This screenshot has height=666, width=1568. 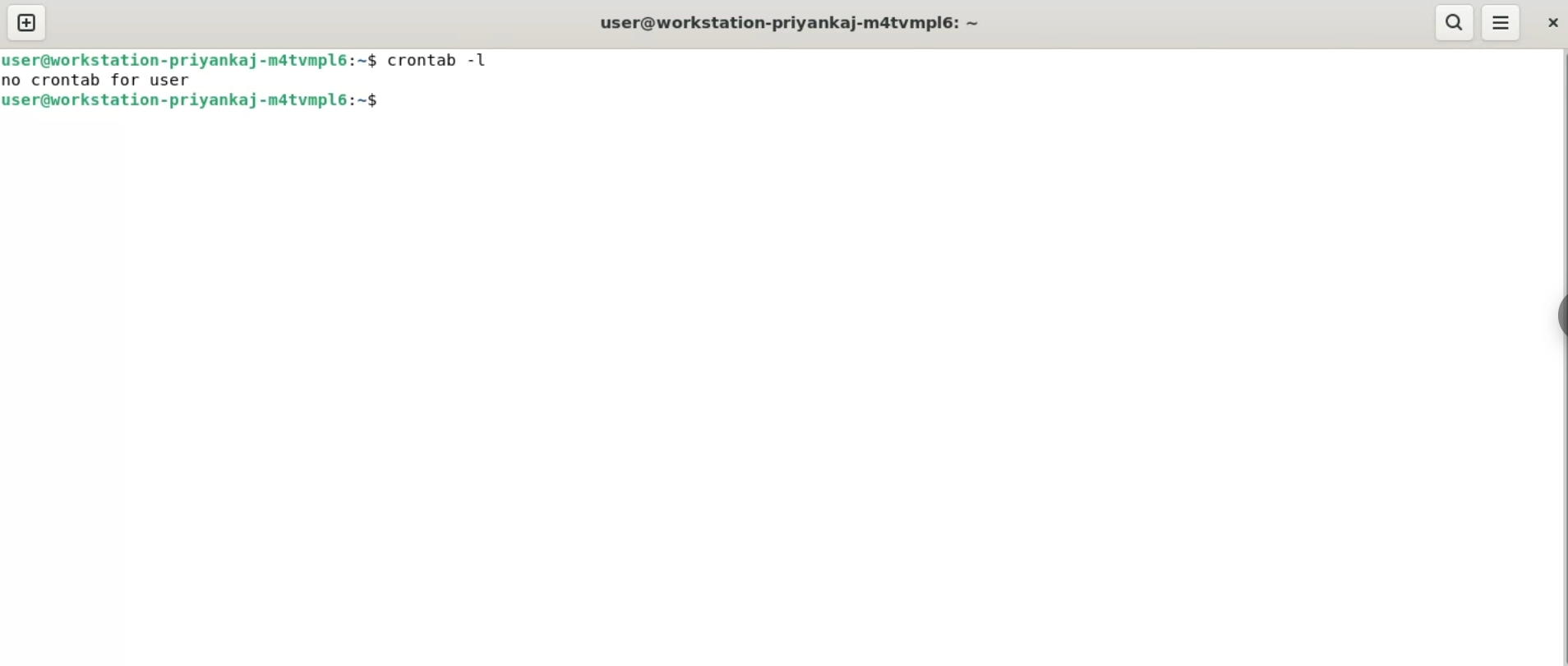 I want to click on search, so click(x=1457, y=22).